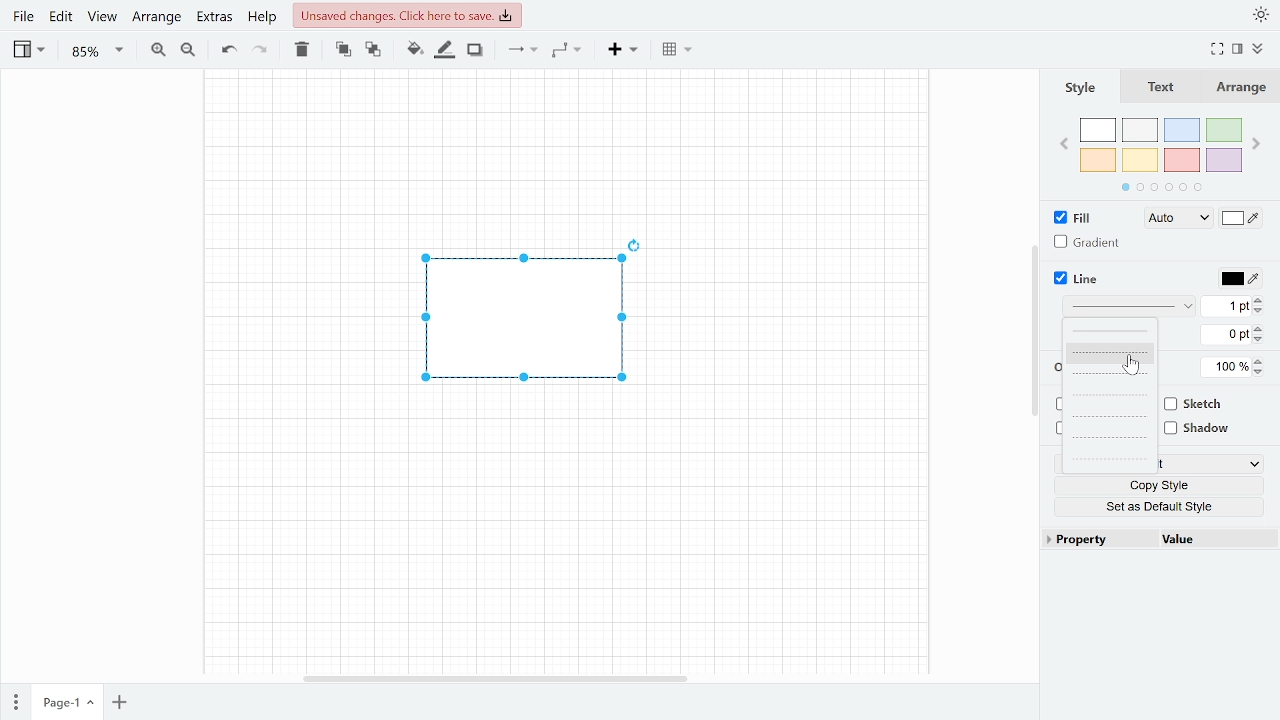 This screenshot has height=720, width=1280. I want to click on Line color, so click(1241, 278).